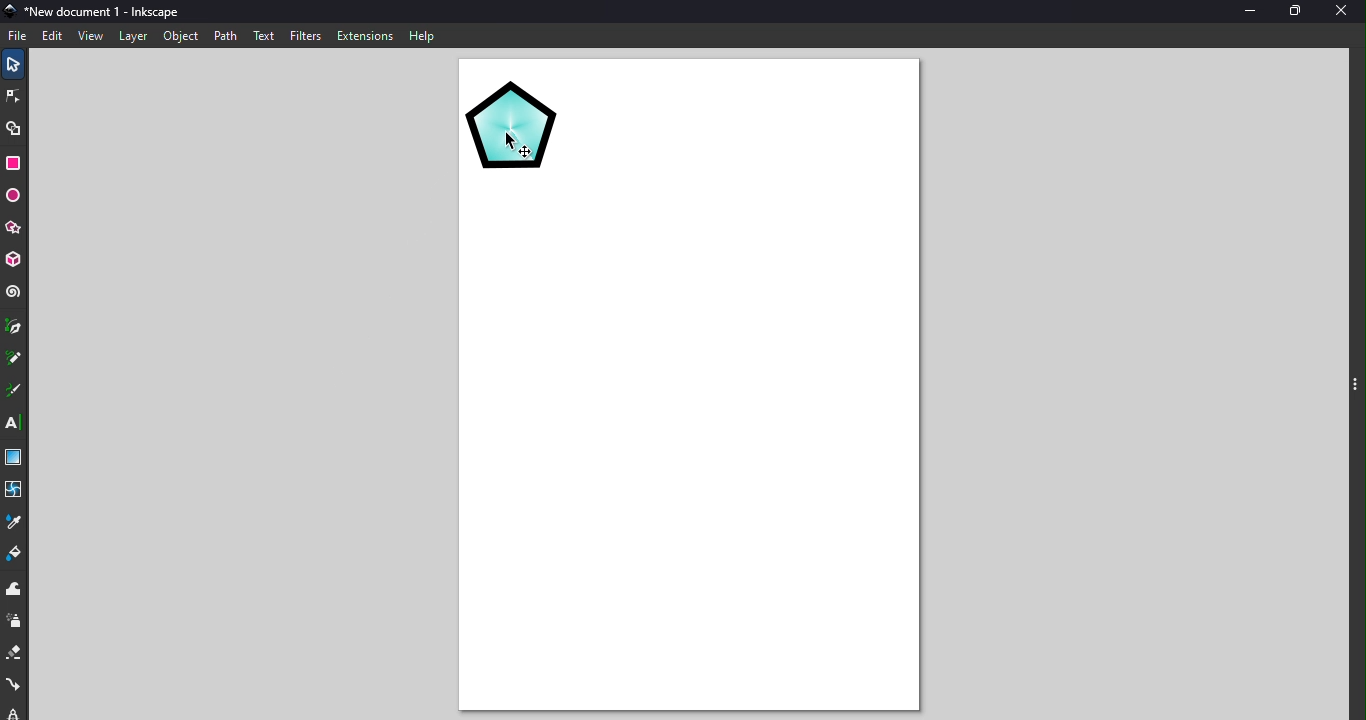  I want to click on Tweak tool, so click(16, 588).